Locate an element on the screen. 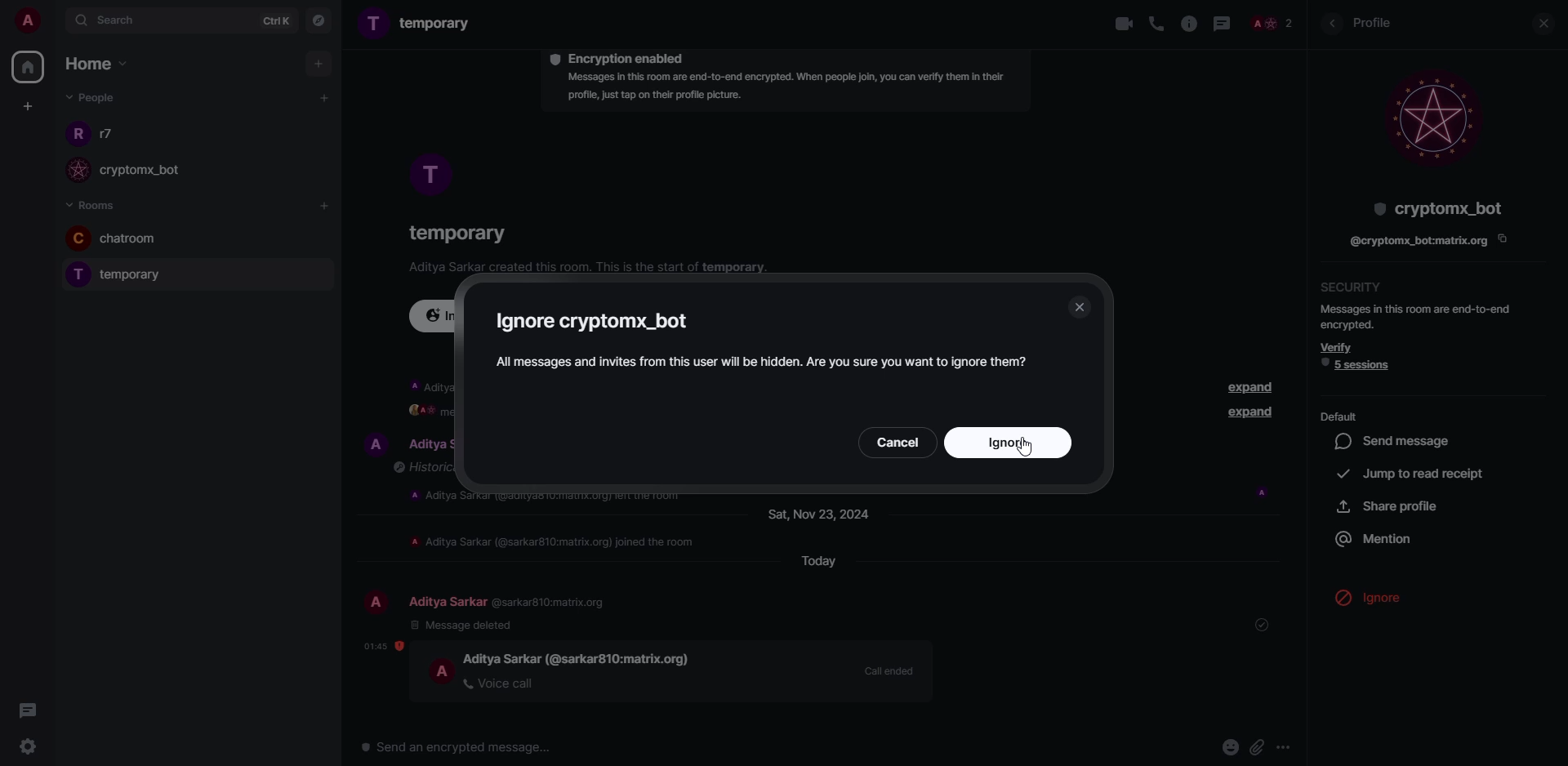 The image size is (1568, 766). profile is located at coordinates (1432, 117).